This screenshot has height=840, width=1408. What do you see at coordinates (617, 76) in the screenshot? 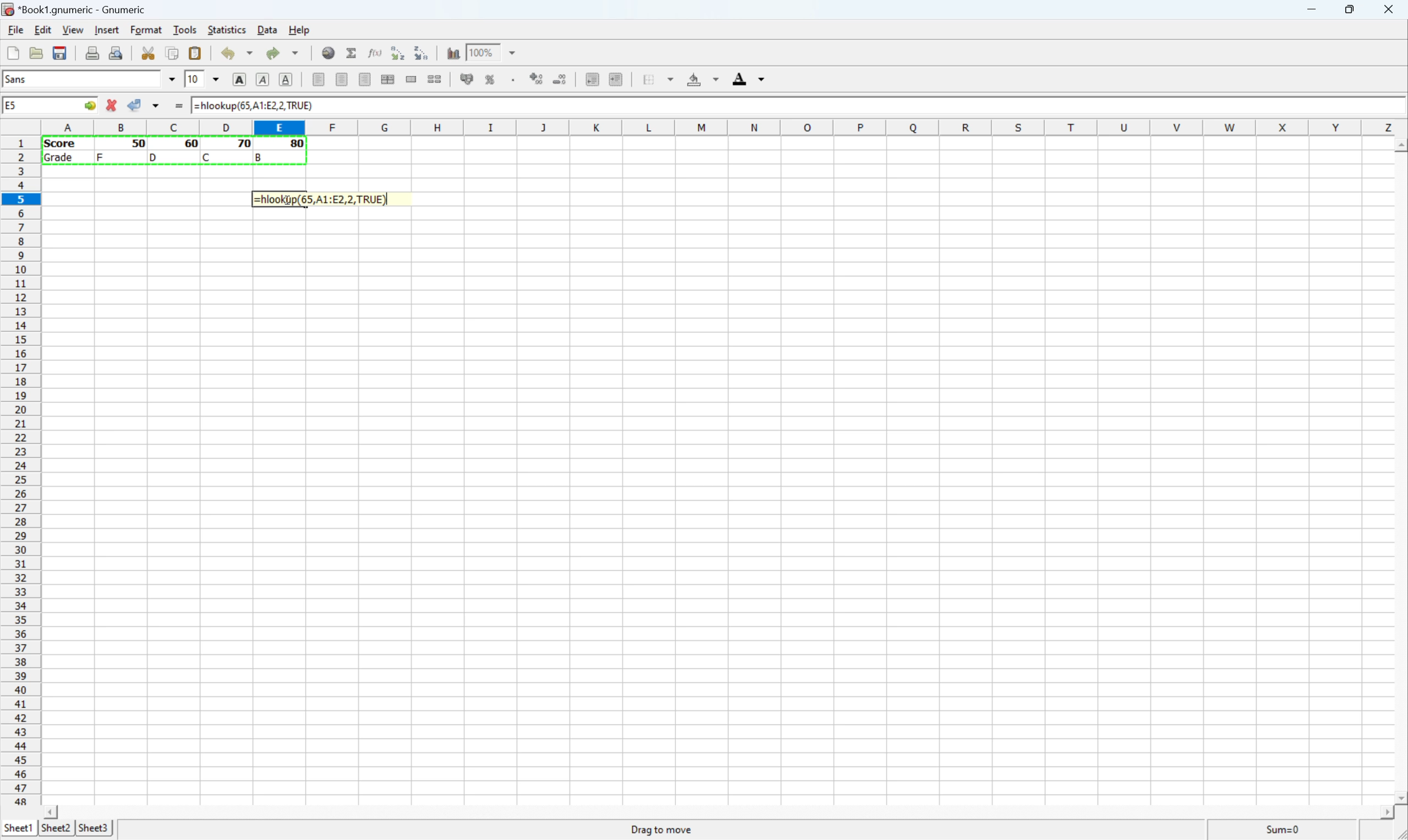
I see `Increase Indent, and align the contents to the left` at bounding box center [617, 76].